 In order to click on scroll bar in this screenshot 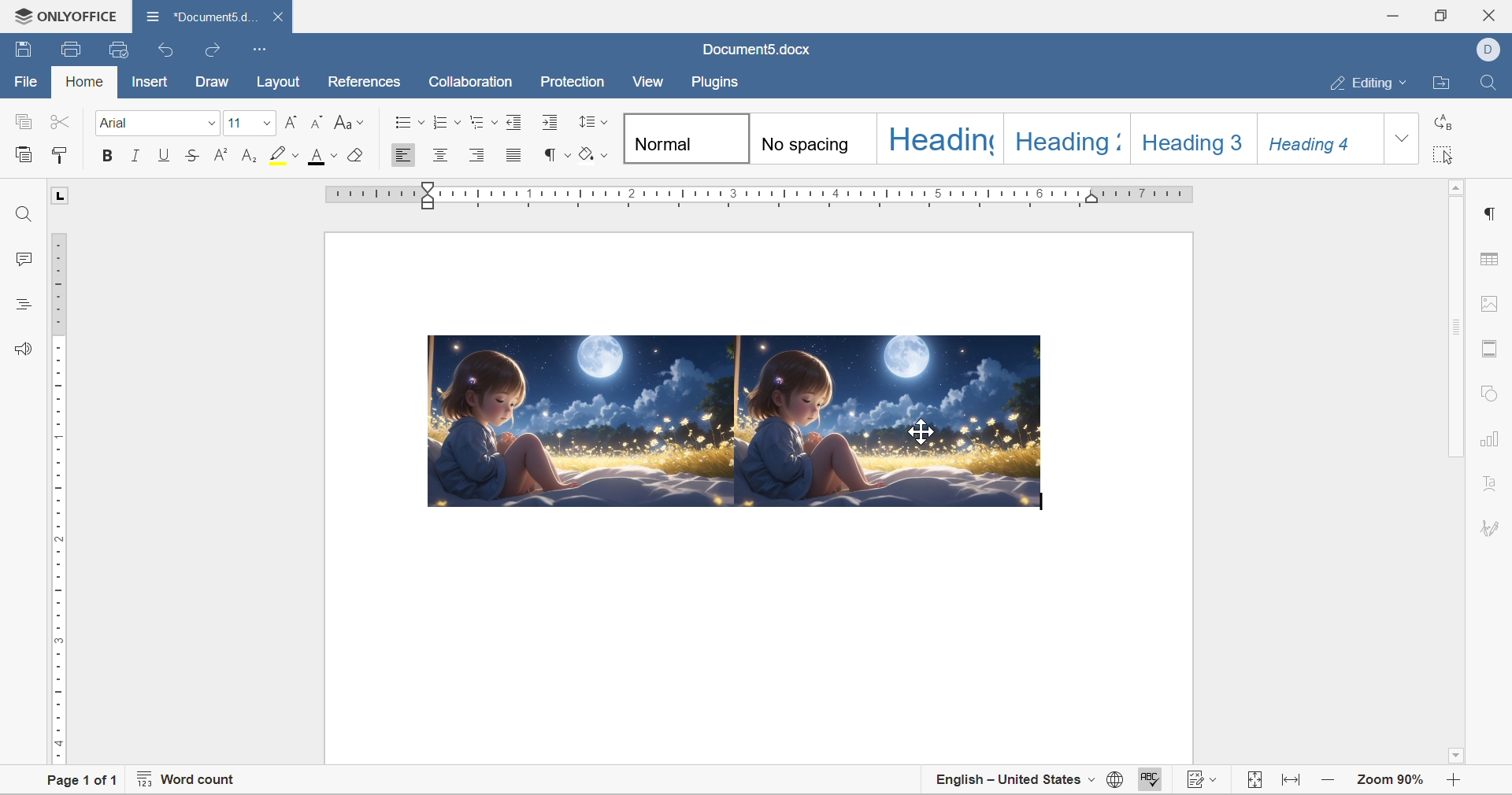, I will do `click(1457, 327)`.